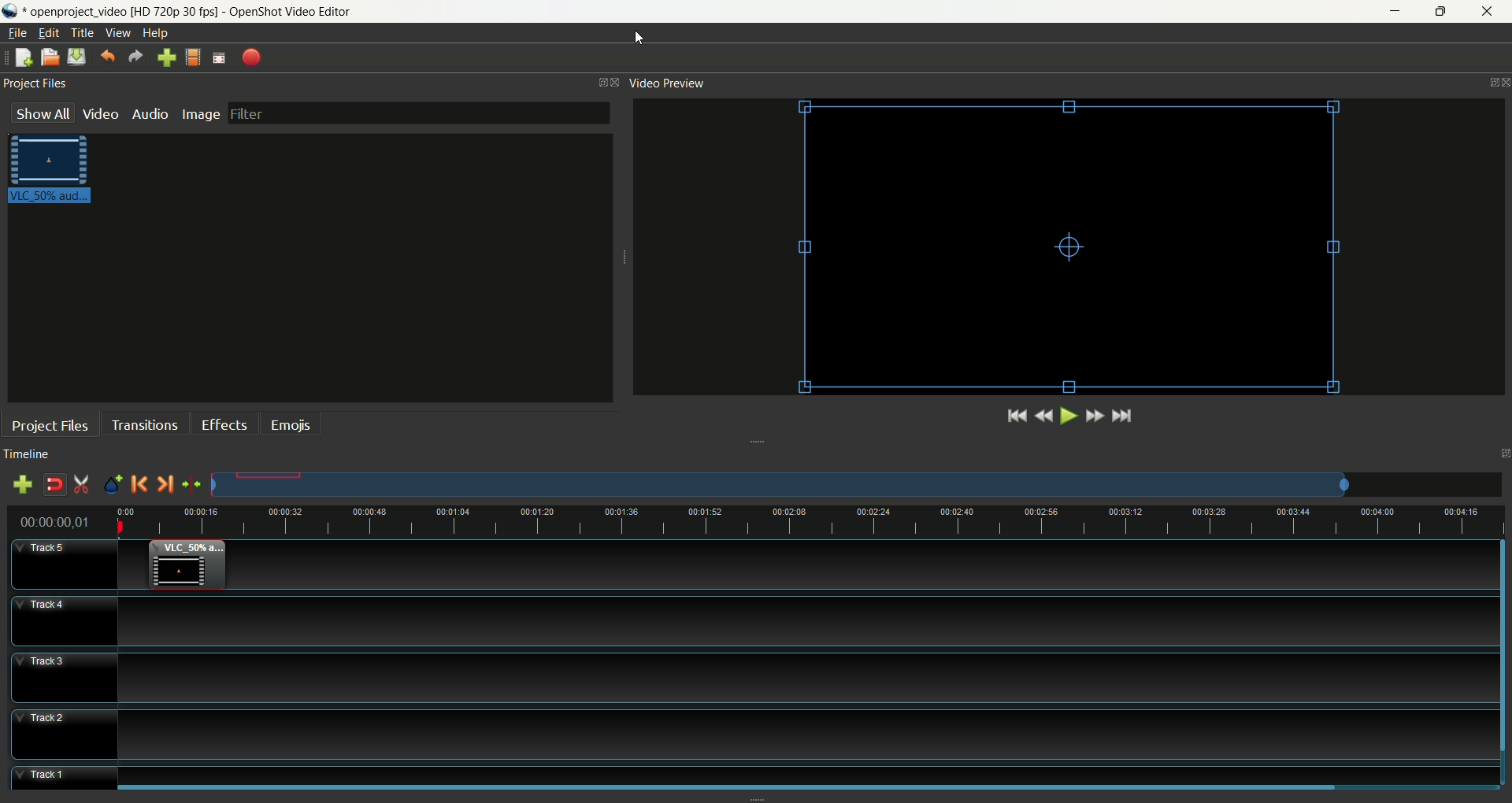 The height and width of the screenshot is (803, 1512). What do you see at coordinates (138, 57) in the screenshot?
I see `redo` at bounding box center [138, 57].